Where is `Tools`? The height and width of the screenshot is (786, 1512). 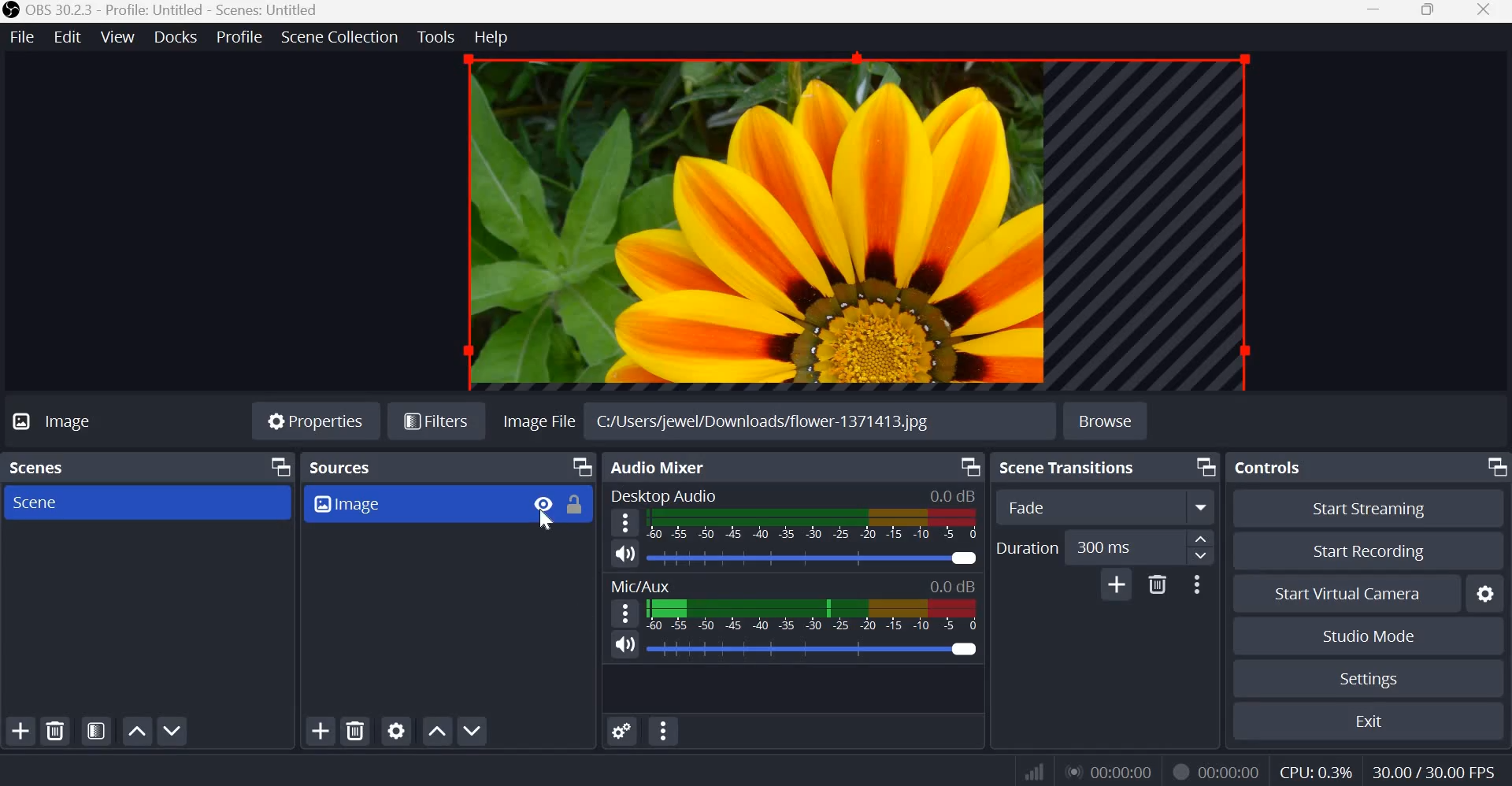 Tools is located at coordinates (435, 36).